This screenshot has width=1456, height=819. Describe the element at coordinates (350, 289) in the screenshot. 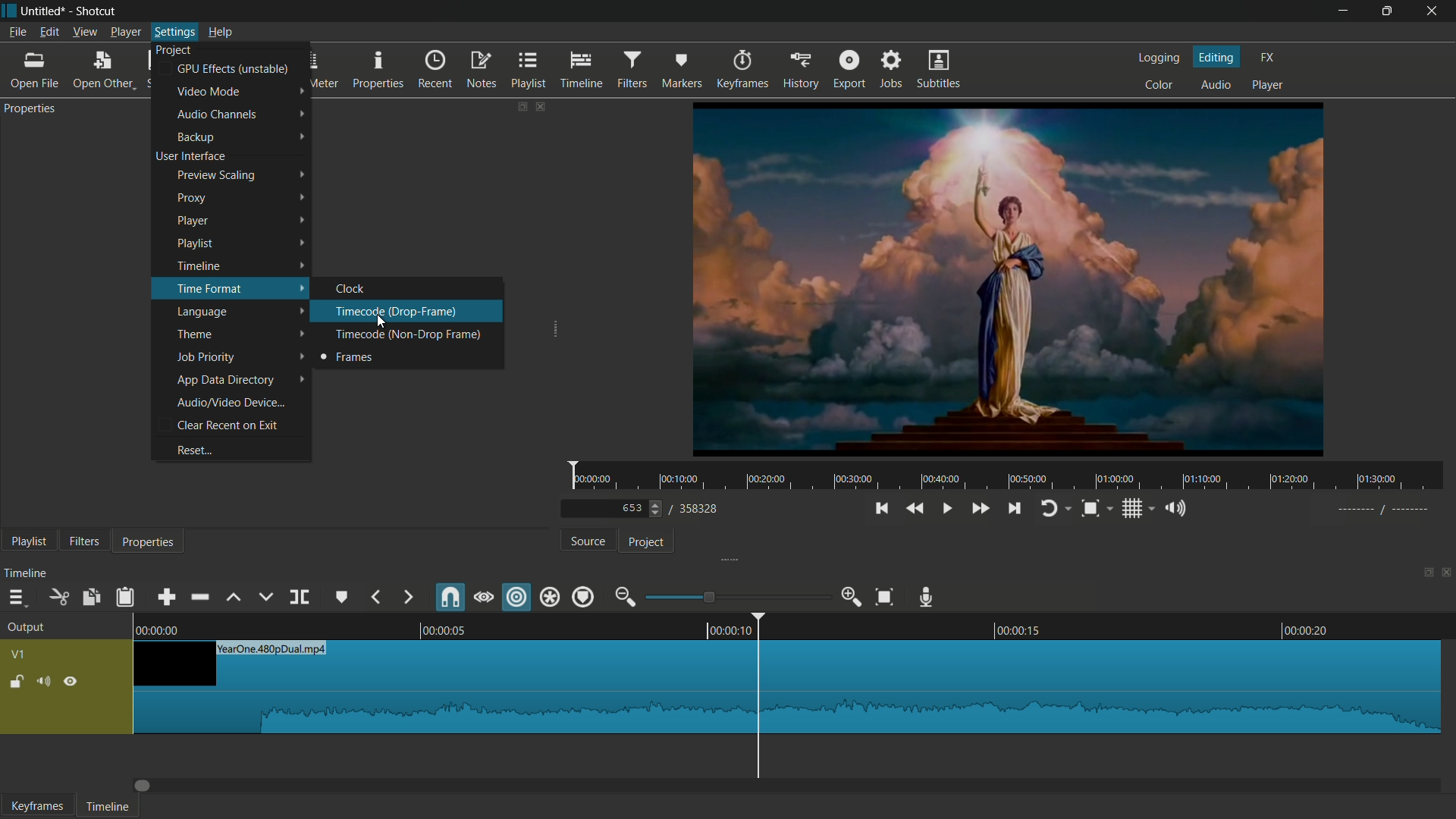

I see `clock` at that location.